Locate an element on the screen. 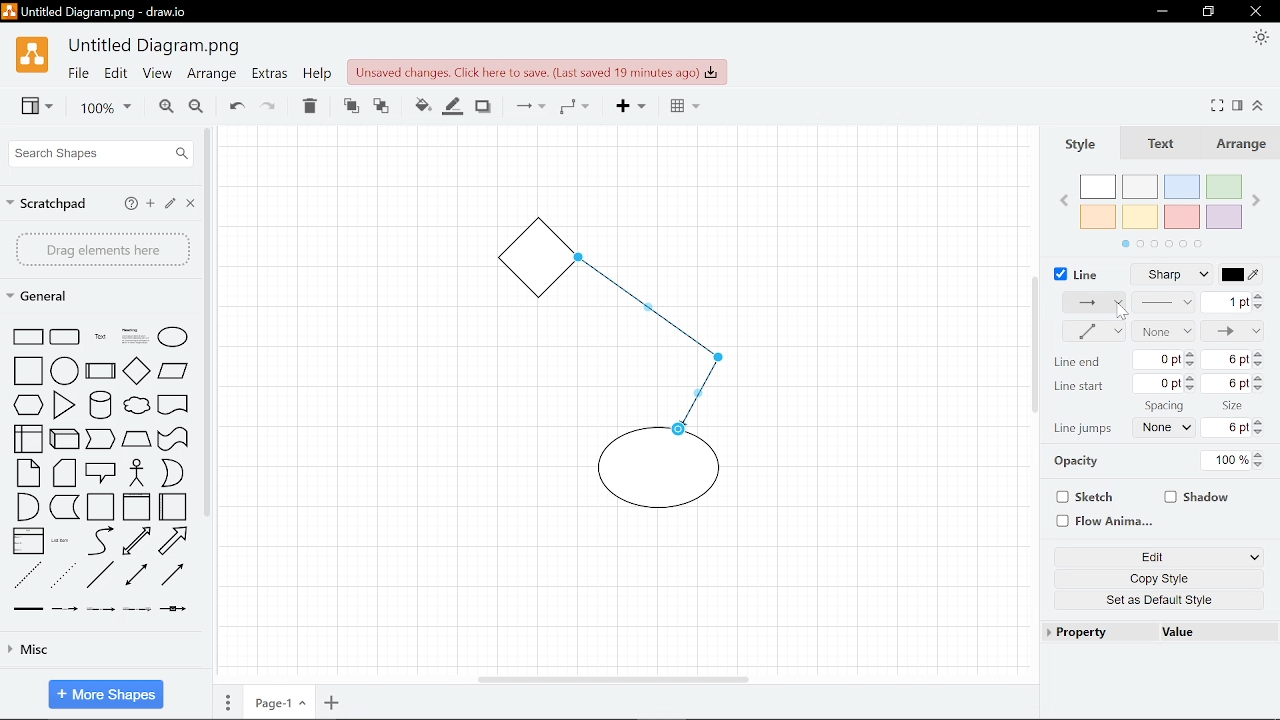 The height and width of the screenshot is (720, 1280). shape is located at coordinates (29, 406).